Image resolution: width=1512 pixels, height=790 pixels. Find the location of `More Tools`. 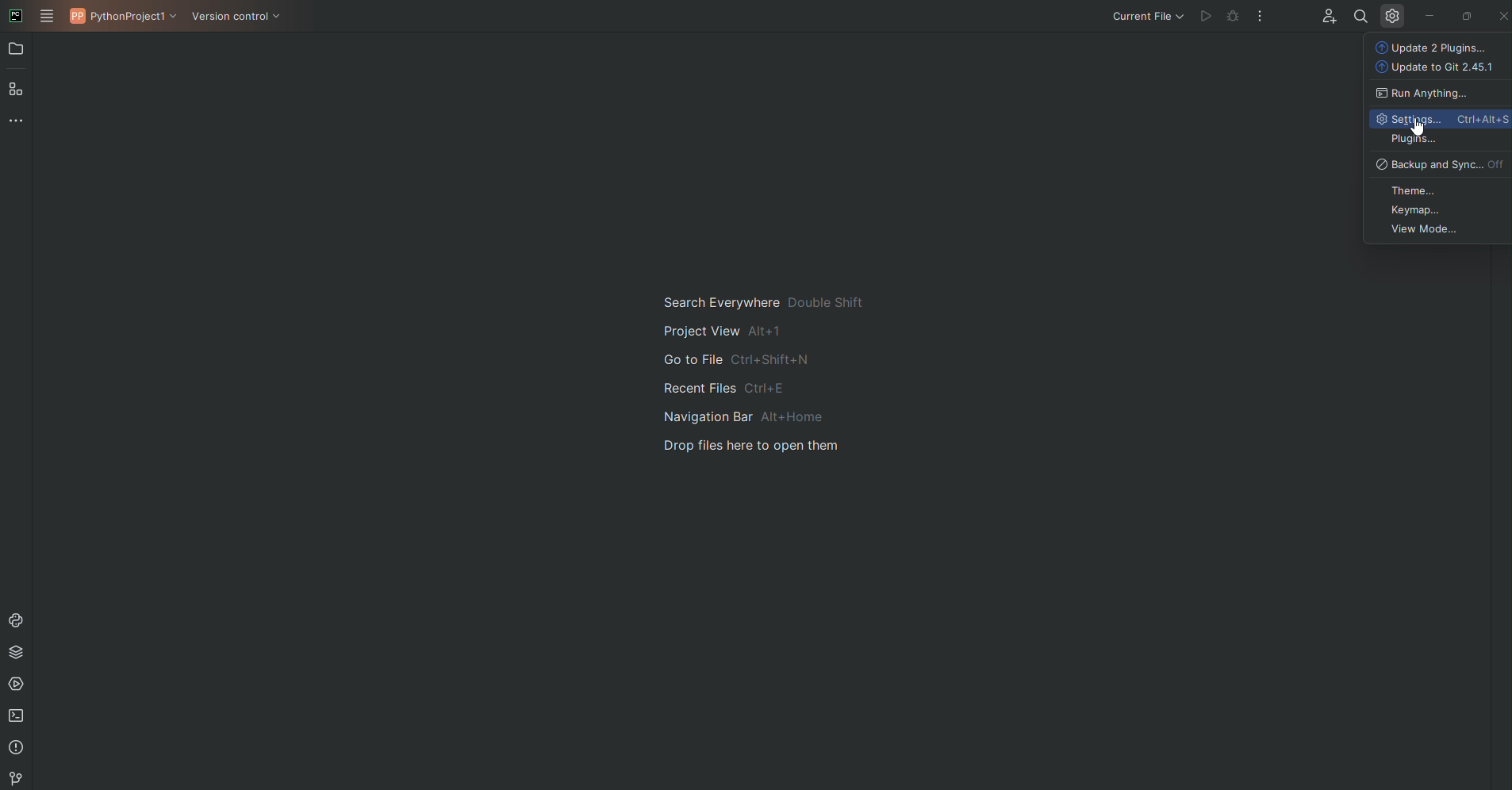

More Tools is located at coordinates (15, 124).